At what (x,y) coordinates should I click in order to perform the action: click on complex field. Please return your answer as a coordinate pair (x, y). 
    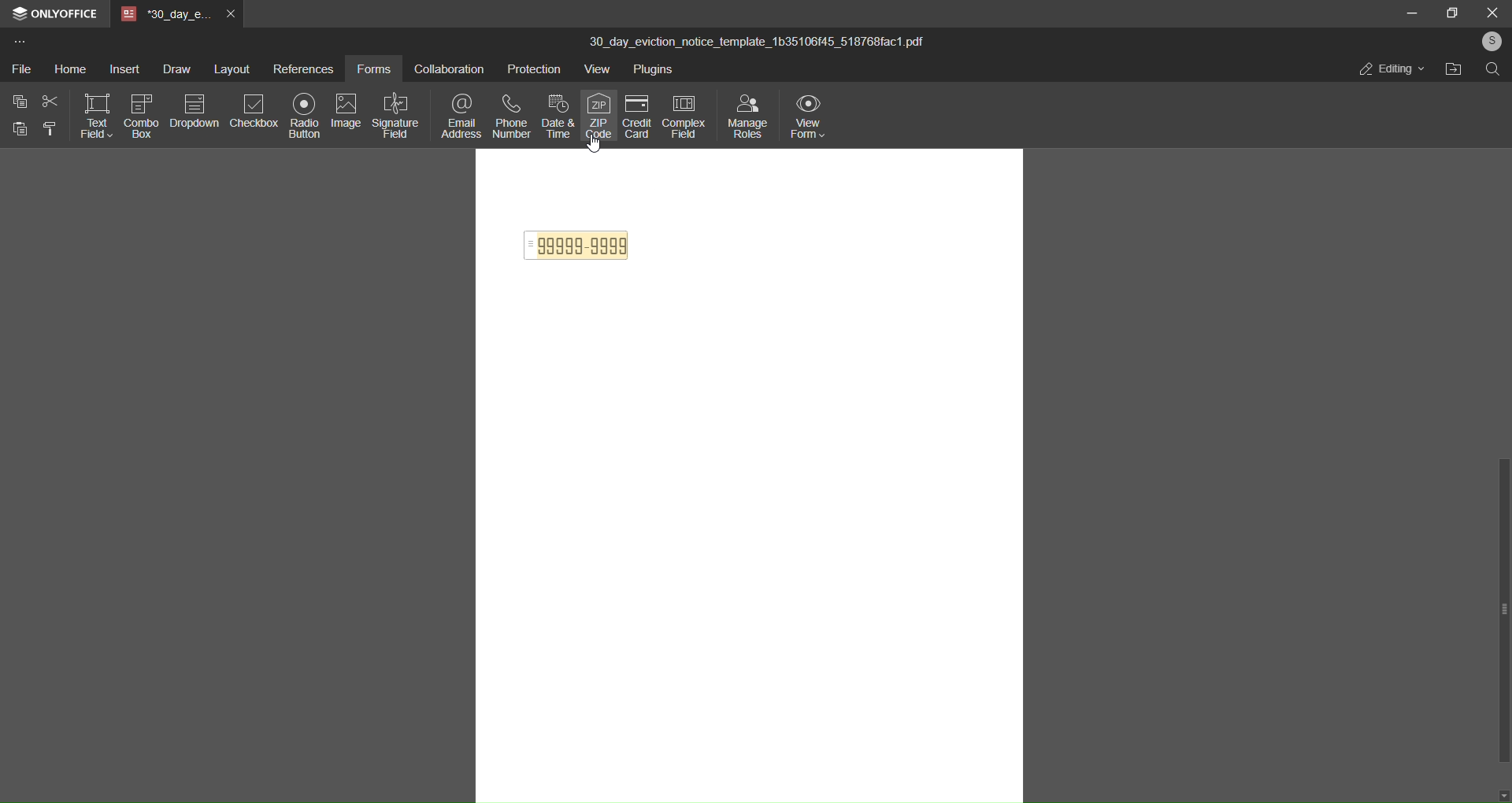
    Looking at the image, I should click on (683, 113).